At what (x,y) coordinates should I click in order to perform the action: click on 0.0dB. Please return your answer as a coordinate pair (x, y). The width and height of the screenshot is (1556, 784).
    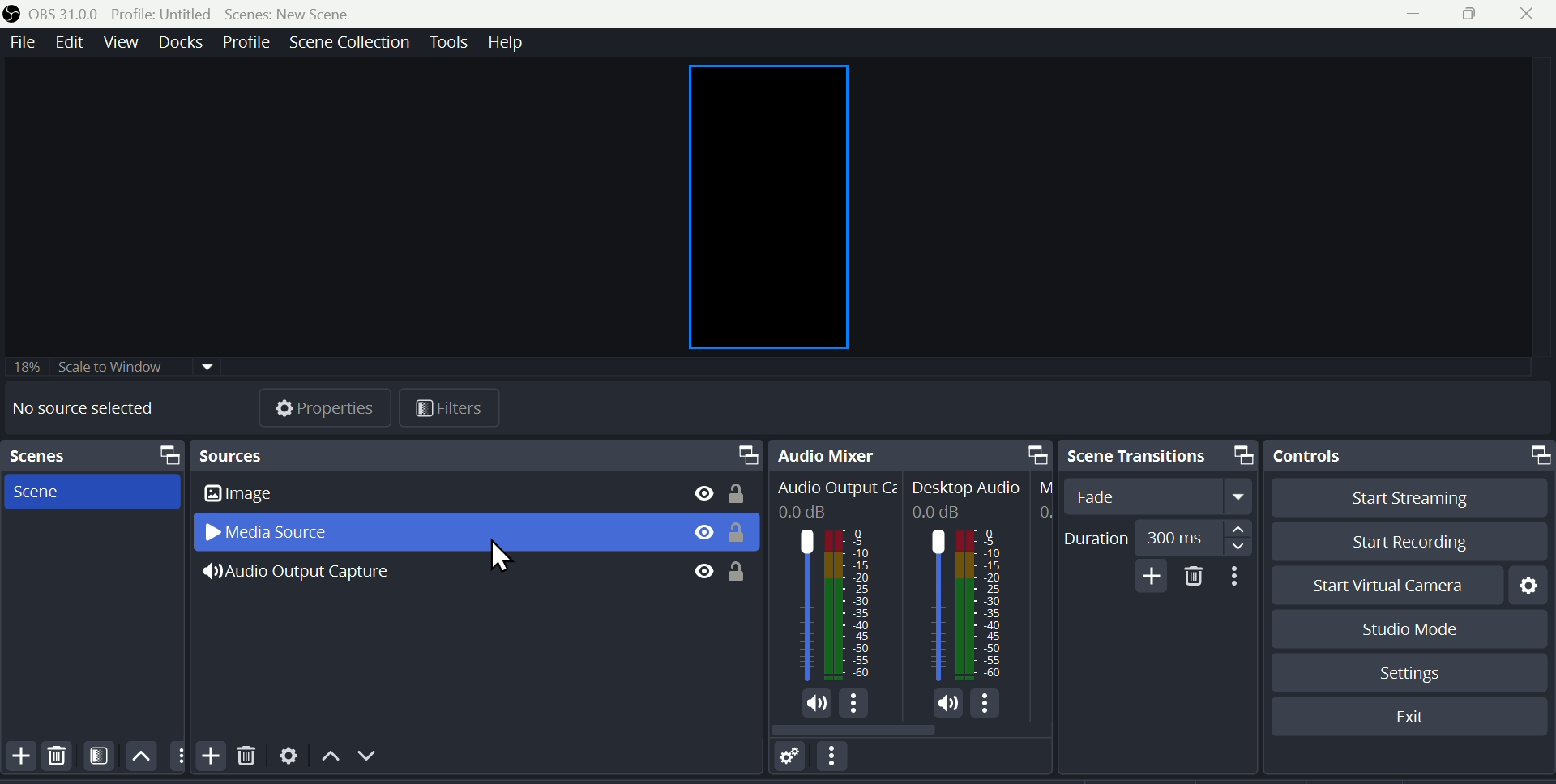
    Looking at the image, I should click on (940, 511).